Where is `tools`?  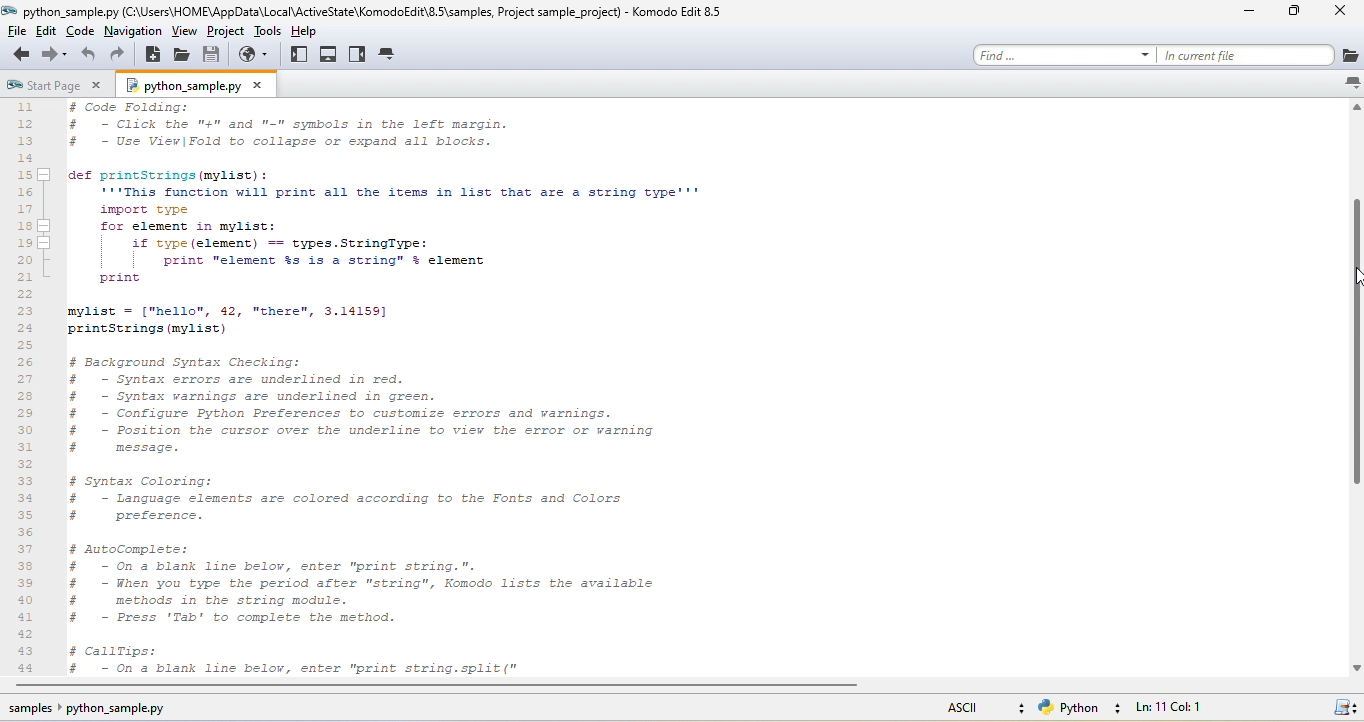
tools is located at coordinates (270, 32).